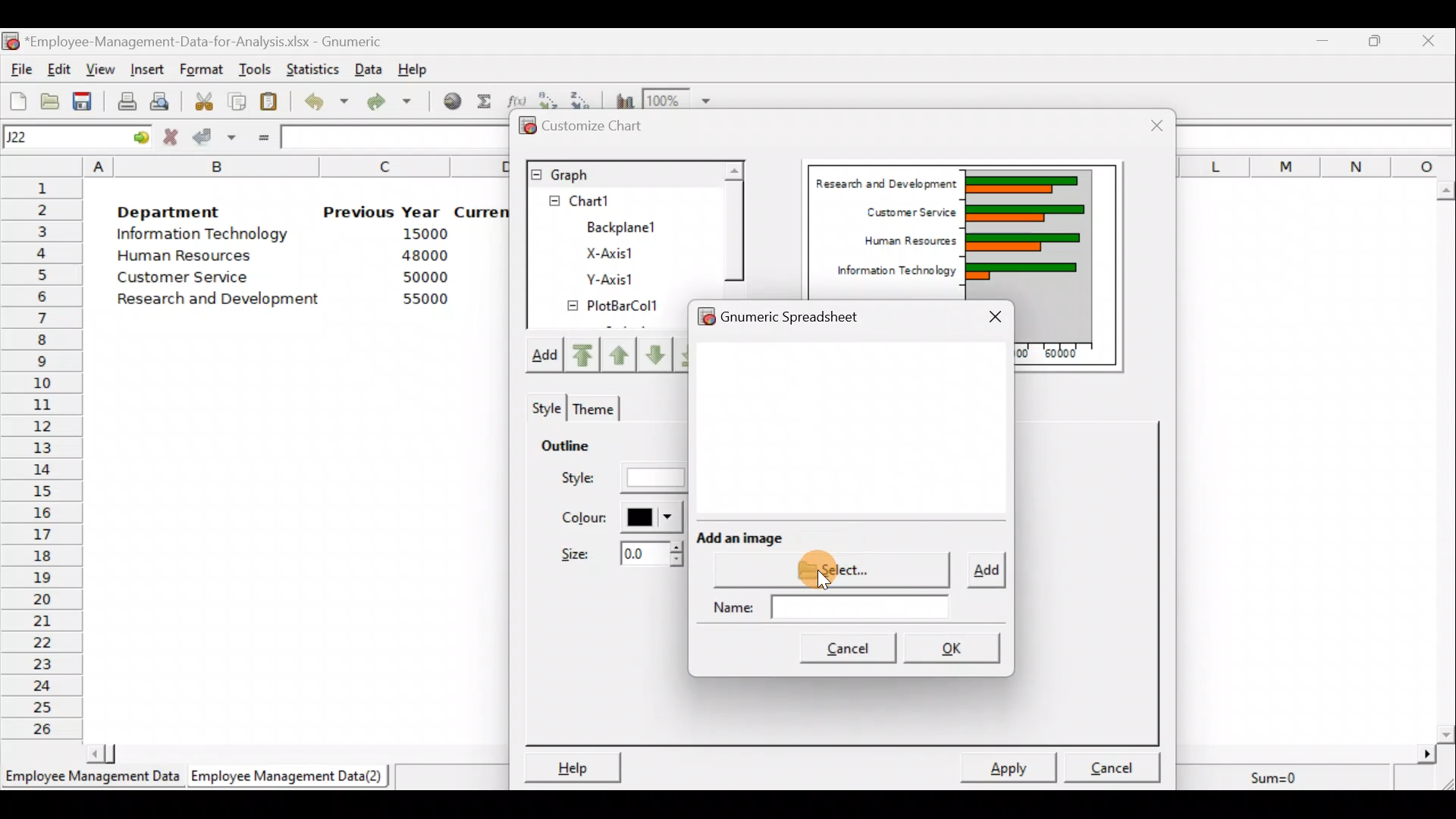  Describe the element at coordinates (837, 608) in the screenshot. I see `Name` at that location.